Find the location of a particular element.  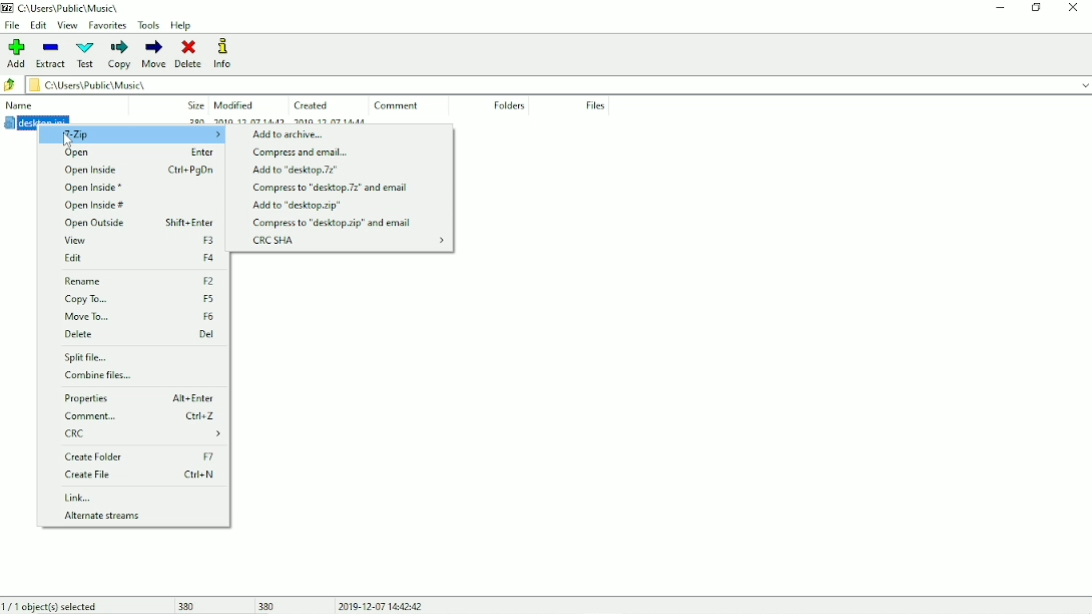

1/1 object(s) selected is located at coordinates (52, 606).